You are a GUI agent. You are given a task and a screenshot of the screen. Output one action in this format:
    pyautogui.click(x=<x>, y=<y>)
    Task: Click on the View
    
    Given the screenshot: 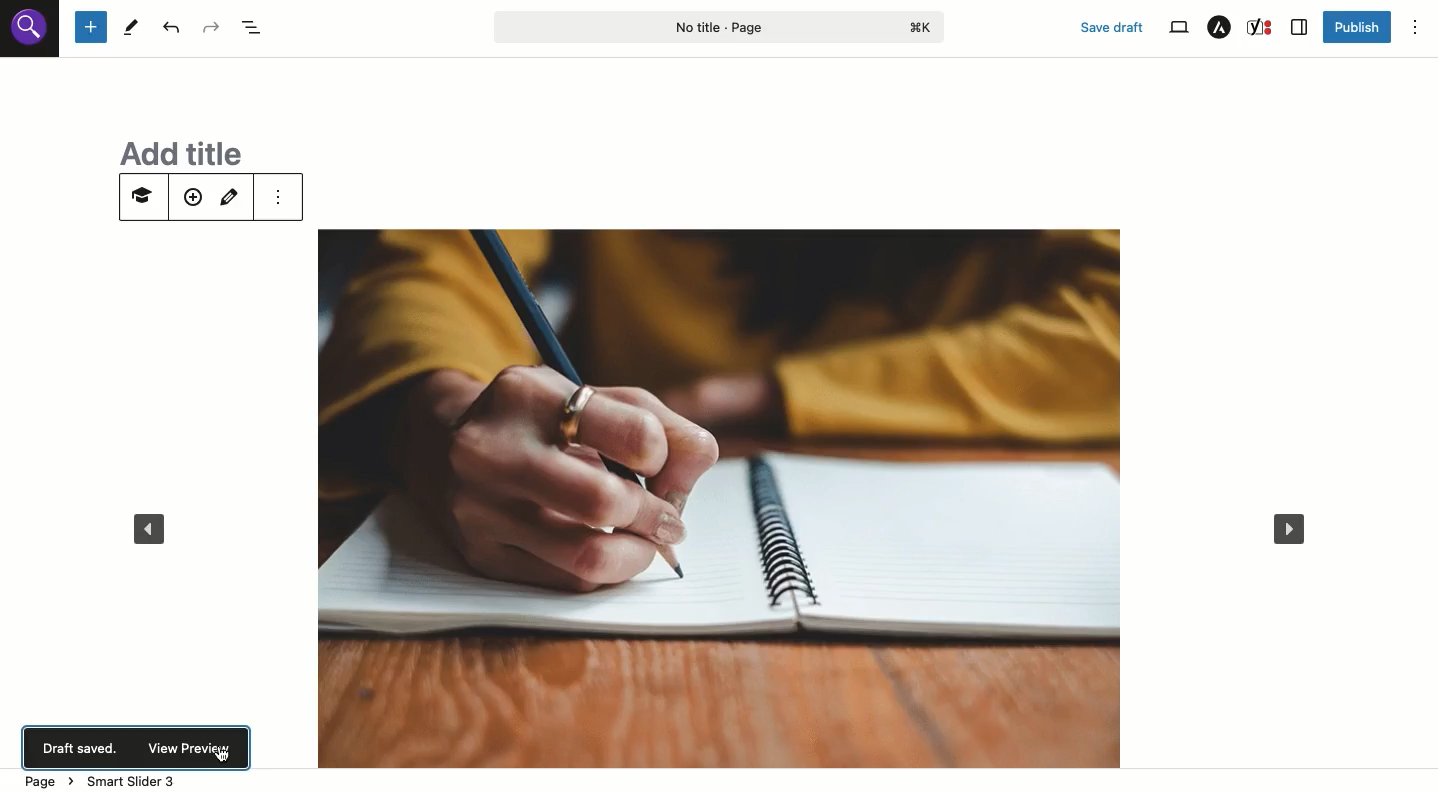 What is the action you would take?
    pyautogui.click(x=1178, y=28)
    